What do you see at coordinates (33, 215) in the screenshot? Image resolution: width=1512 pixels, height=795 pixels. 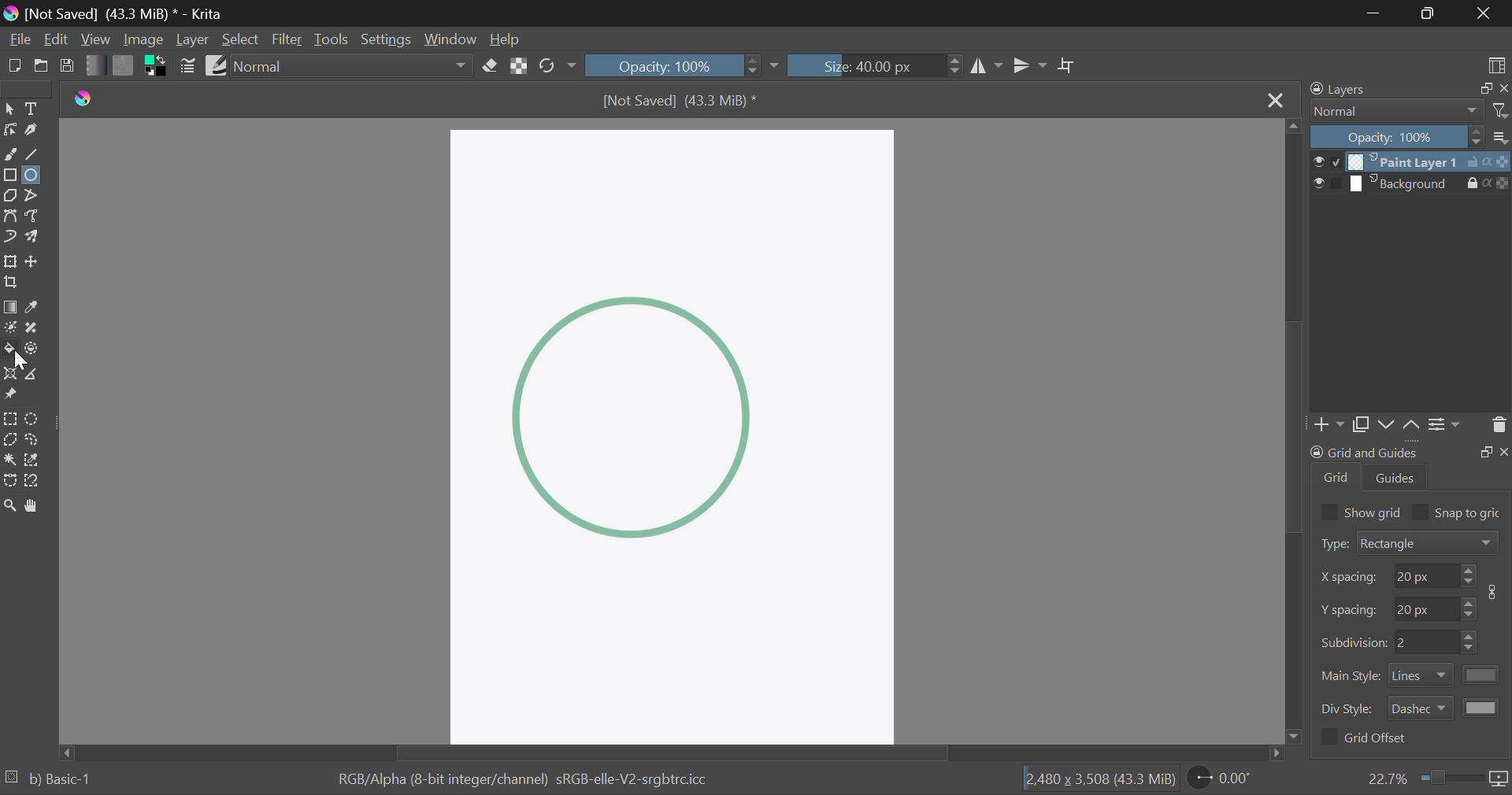 I see `Freehand Path Tool` at bounding box center [33, 215].